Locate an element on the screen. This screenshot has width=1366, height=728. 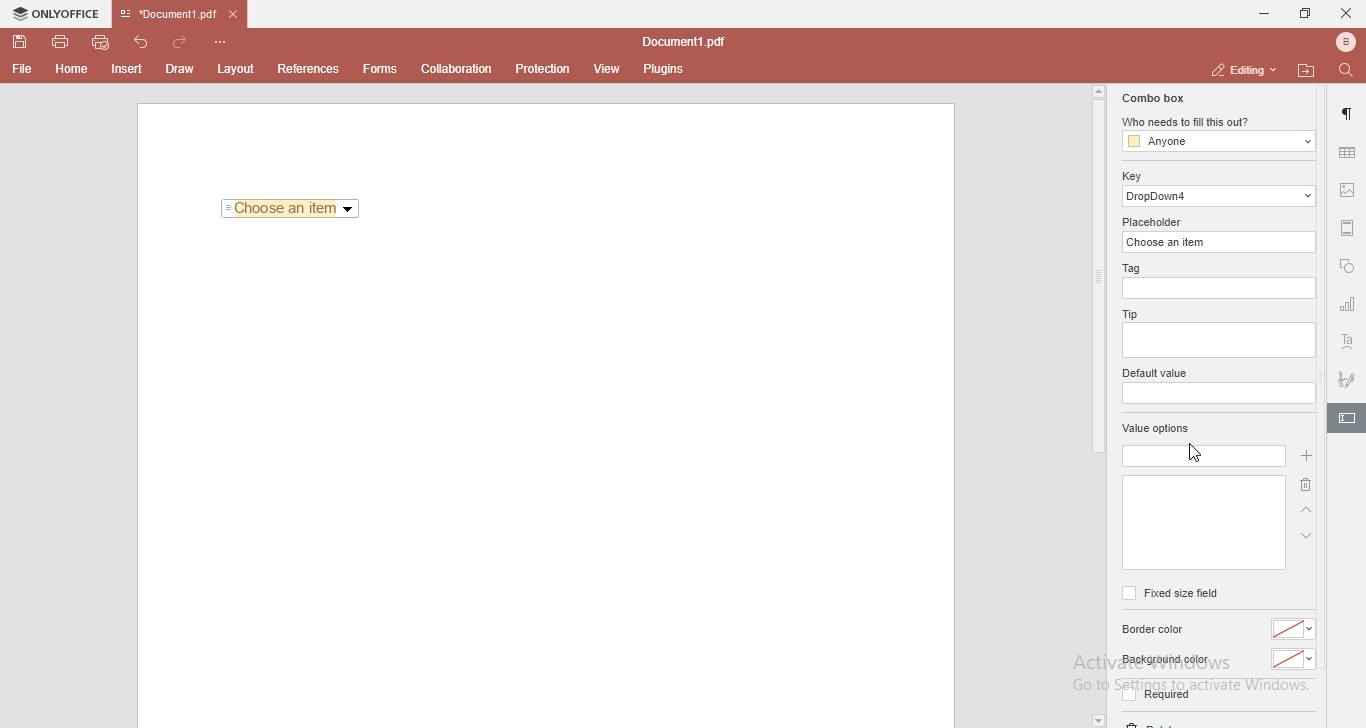
background color is located at coordinates (1164, 660).